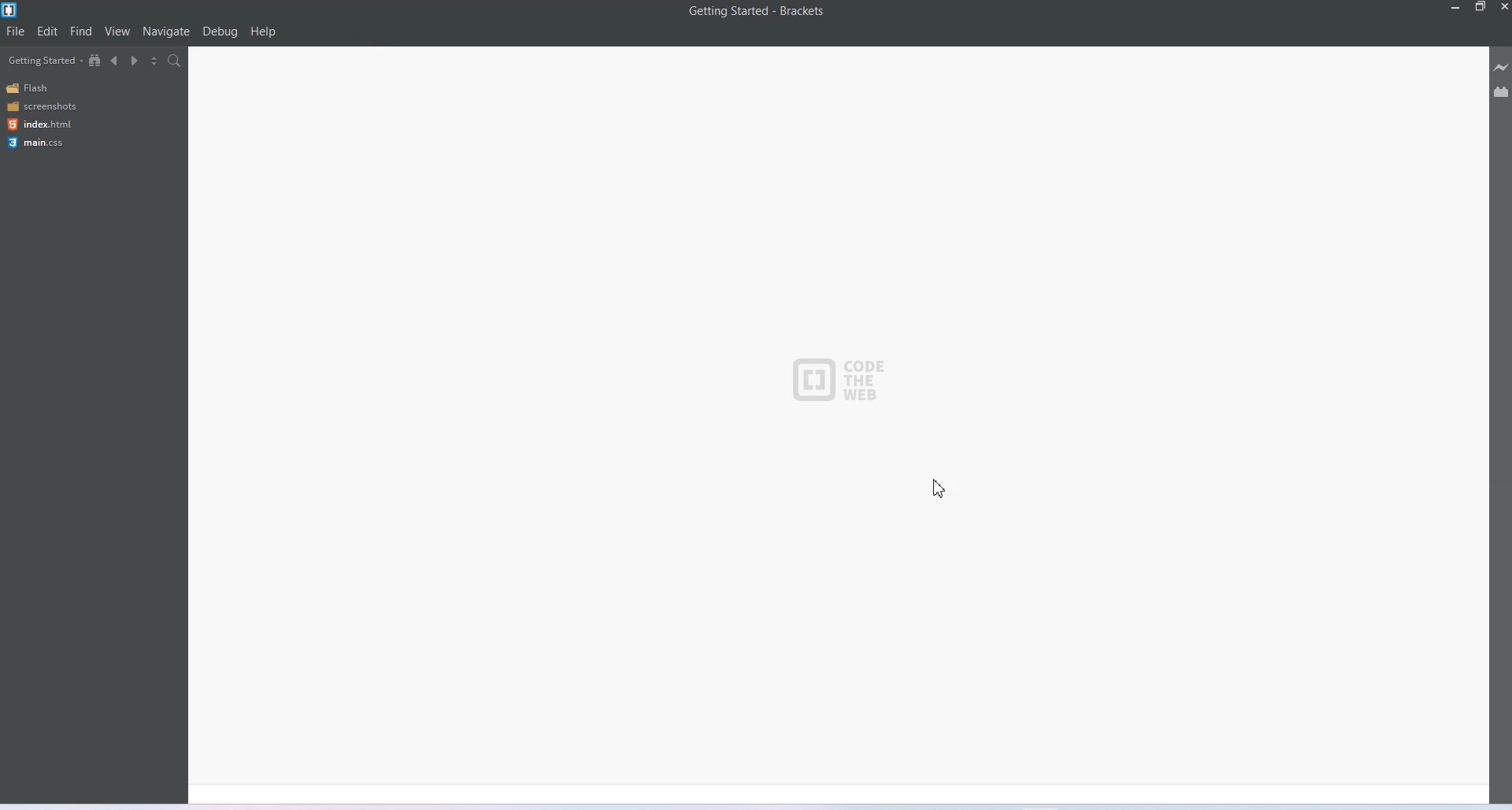 This screenshot has height=810, width=1512. I want to click on view, so click(118, 31).